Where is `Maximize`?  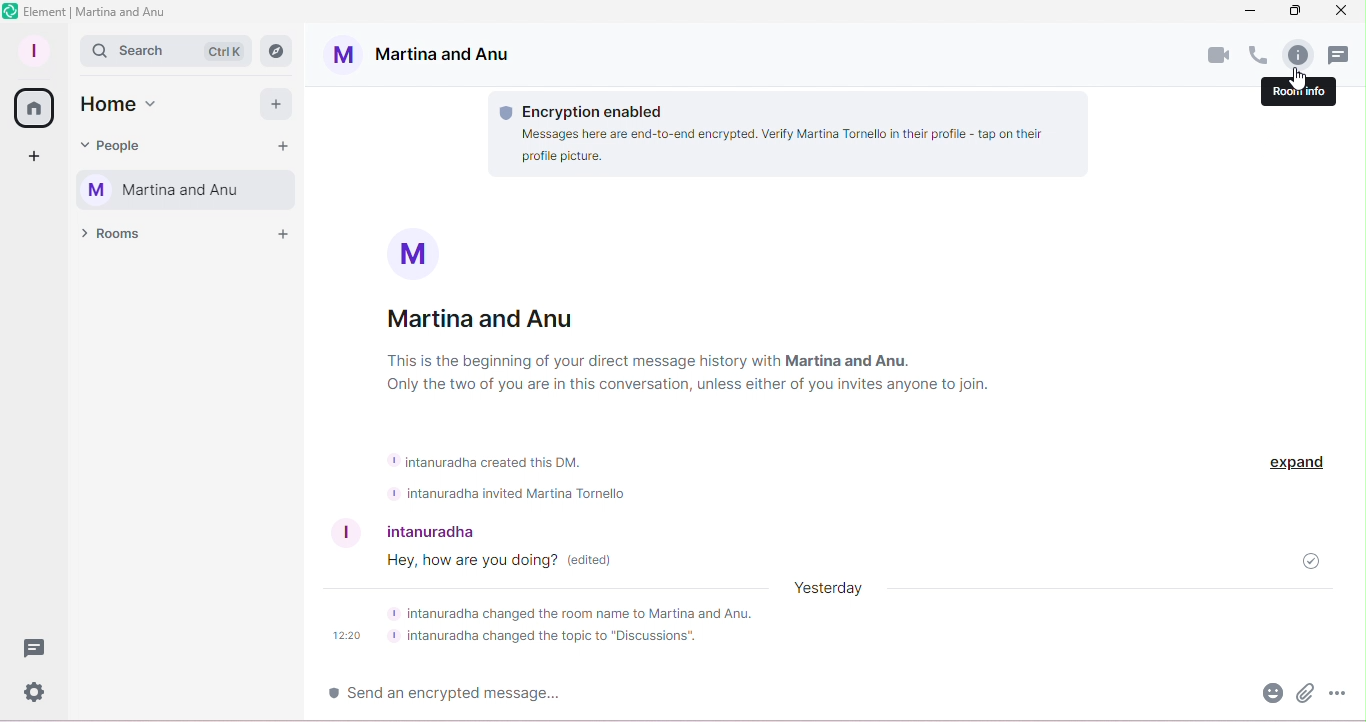 Maximize is located at coordinates (1296, 11).